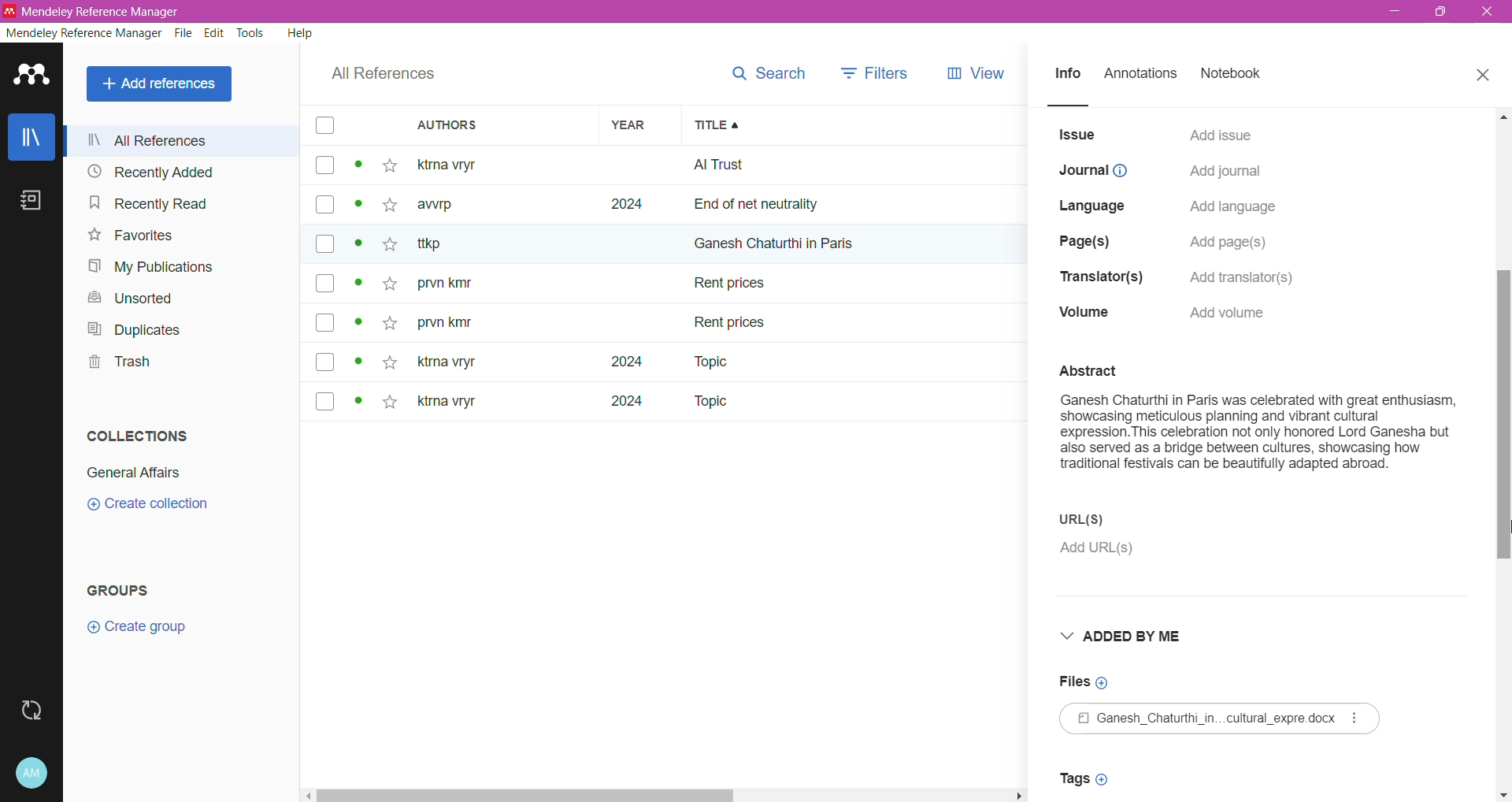  What do you see at coordinates (1503, 455) in the screenshot?
I see `Vertical Scroll Bar` at bounding box center [1503, 455].